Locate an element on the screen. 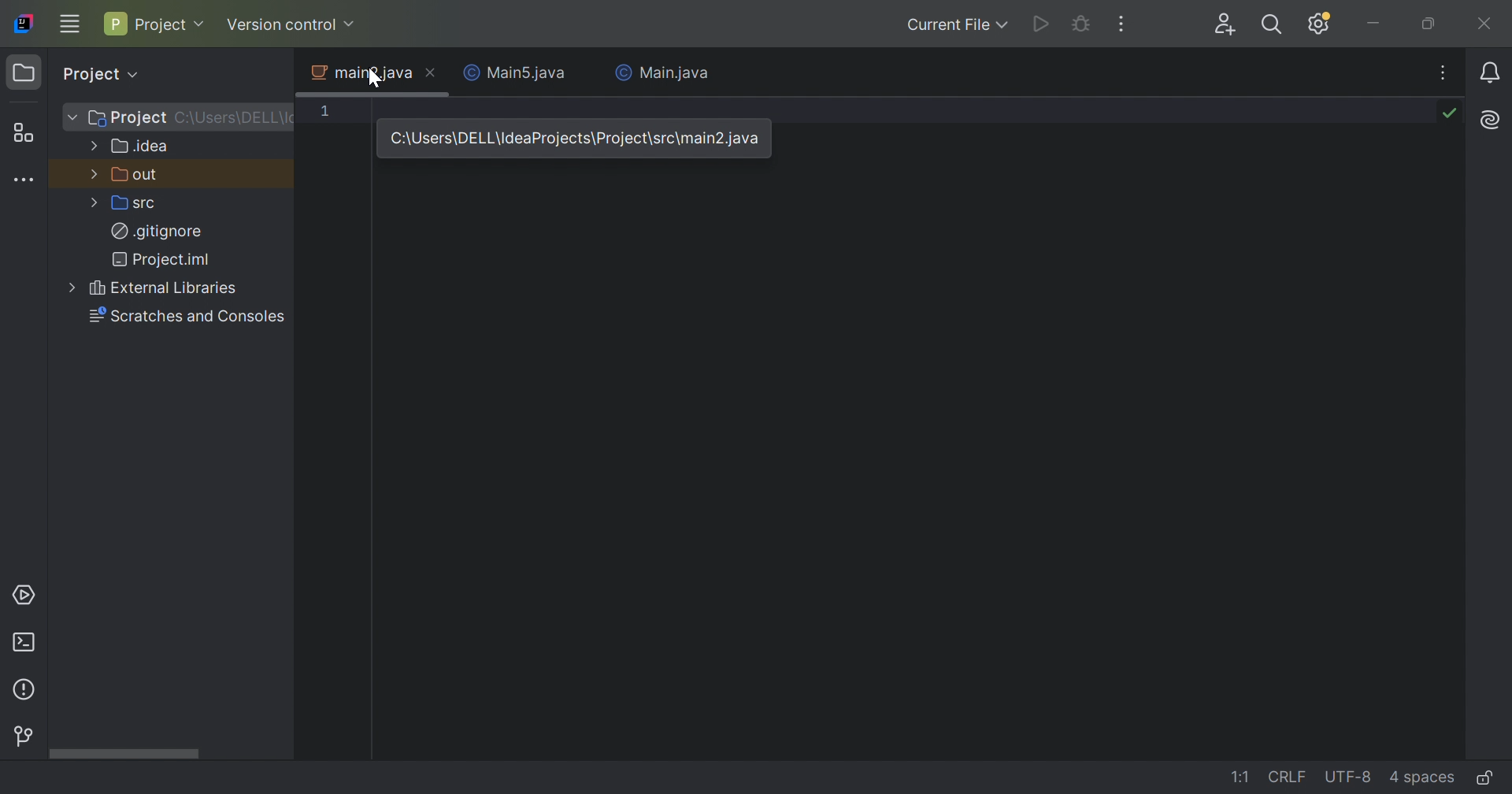 The width and height of the screenshot is (1512, 794). main2.java is located at coordinates (361, 73).